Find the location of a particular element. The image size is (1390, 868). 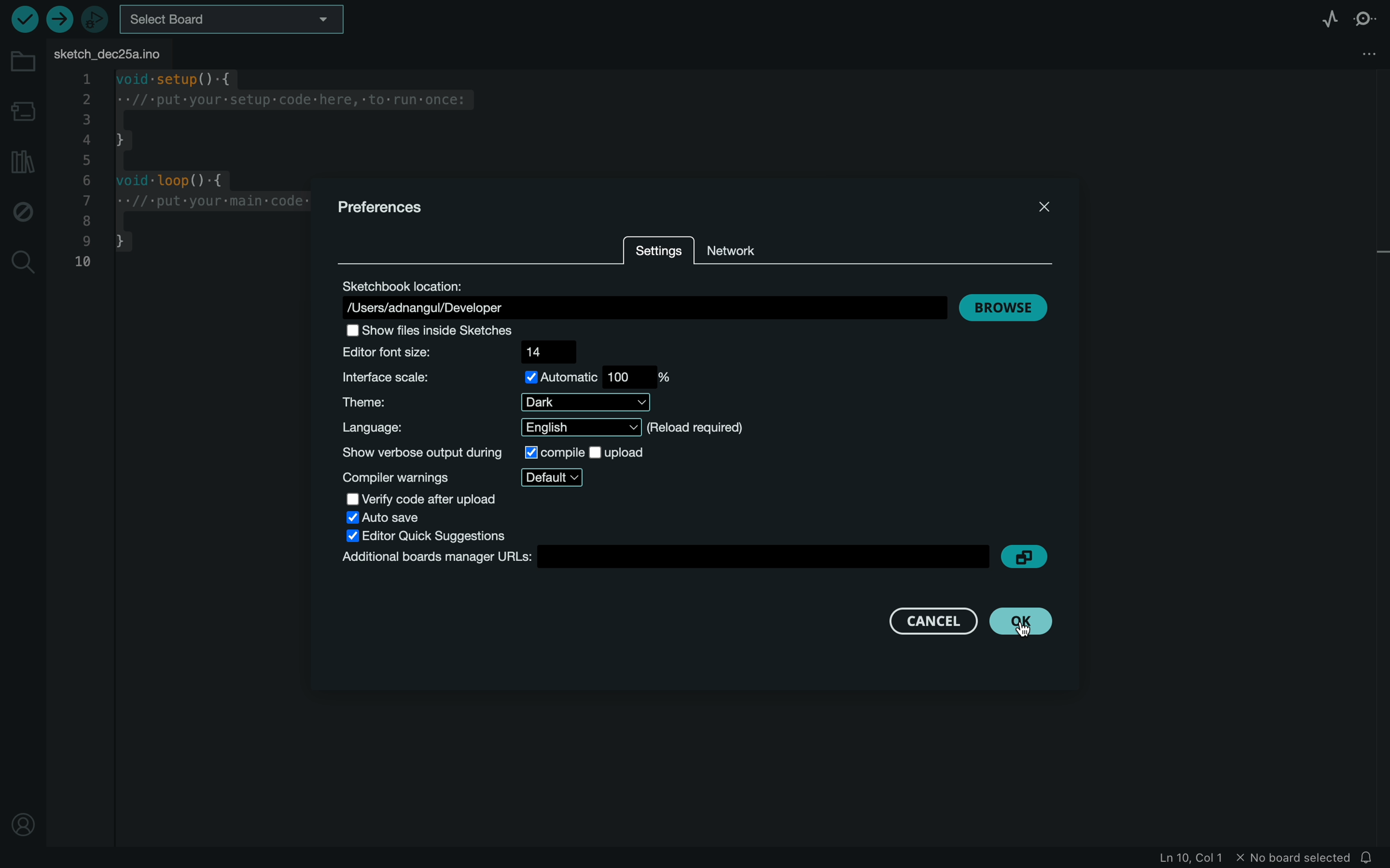

copy is located at coordinates (1026, 557).